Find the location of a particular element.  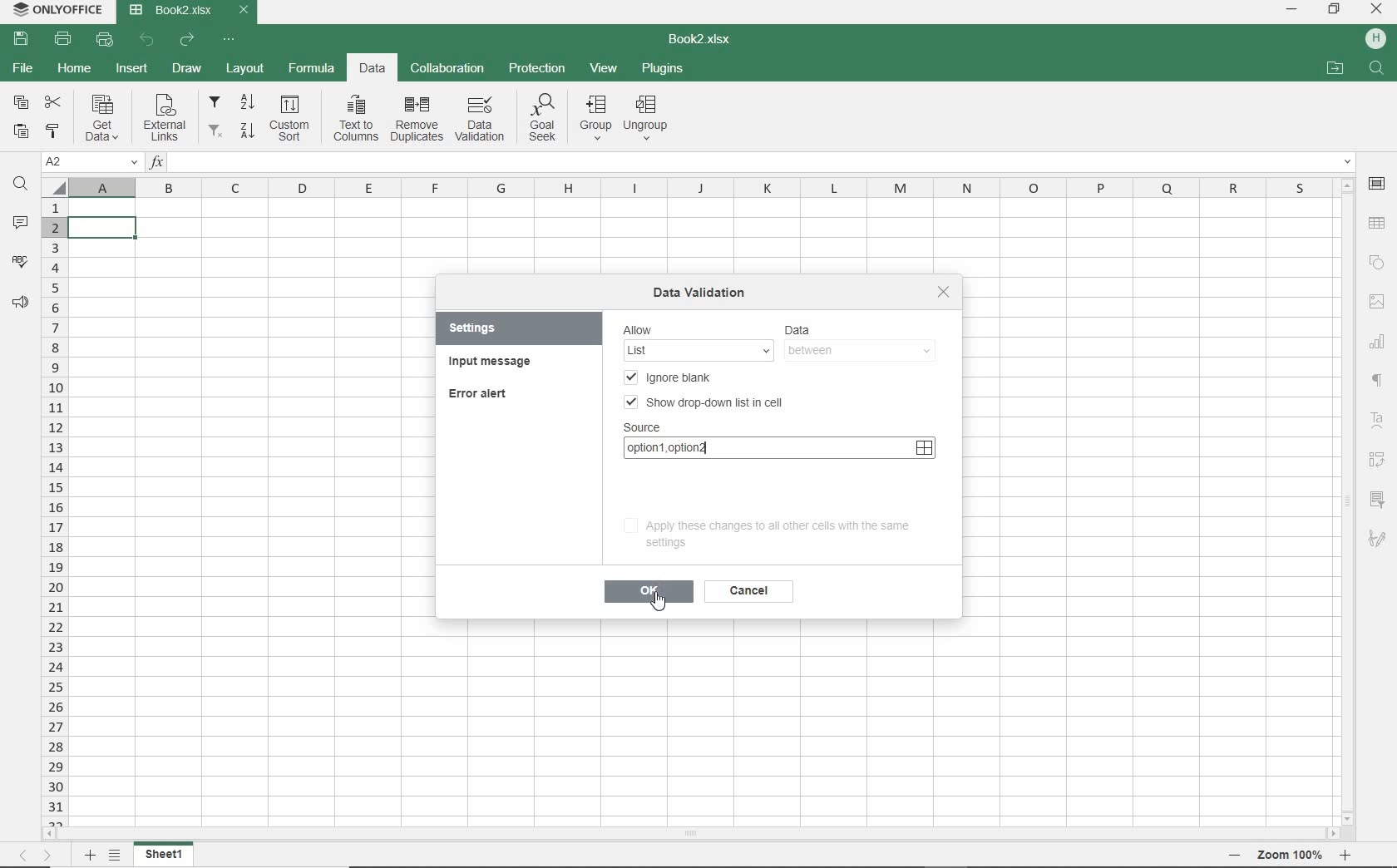

PRINT is located at coordinates (63, 40).